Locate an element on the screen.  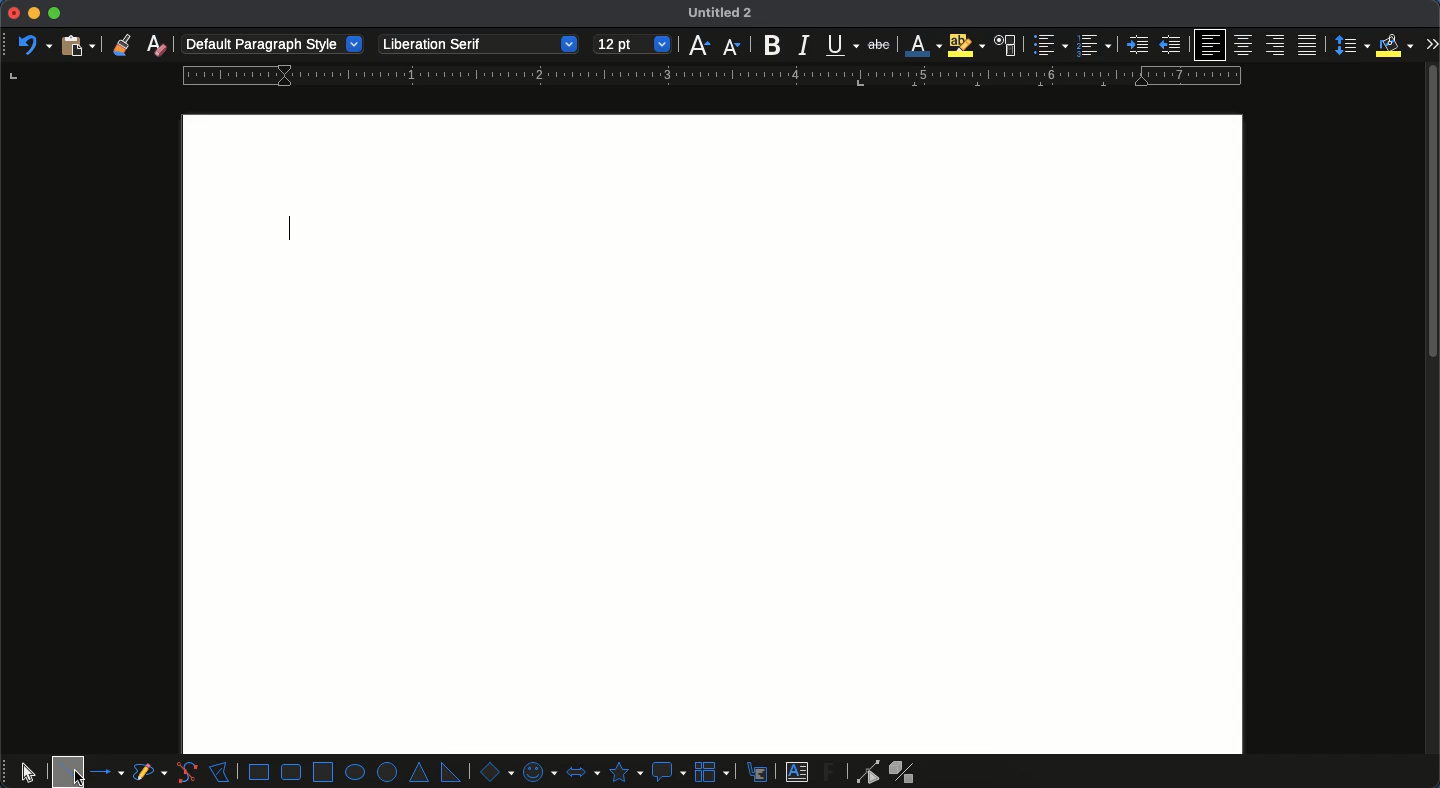
underline is located at coordinates (842, 46).